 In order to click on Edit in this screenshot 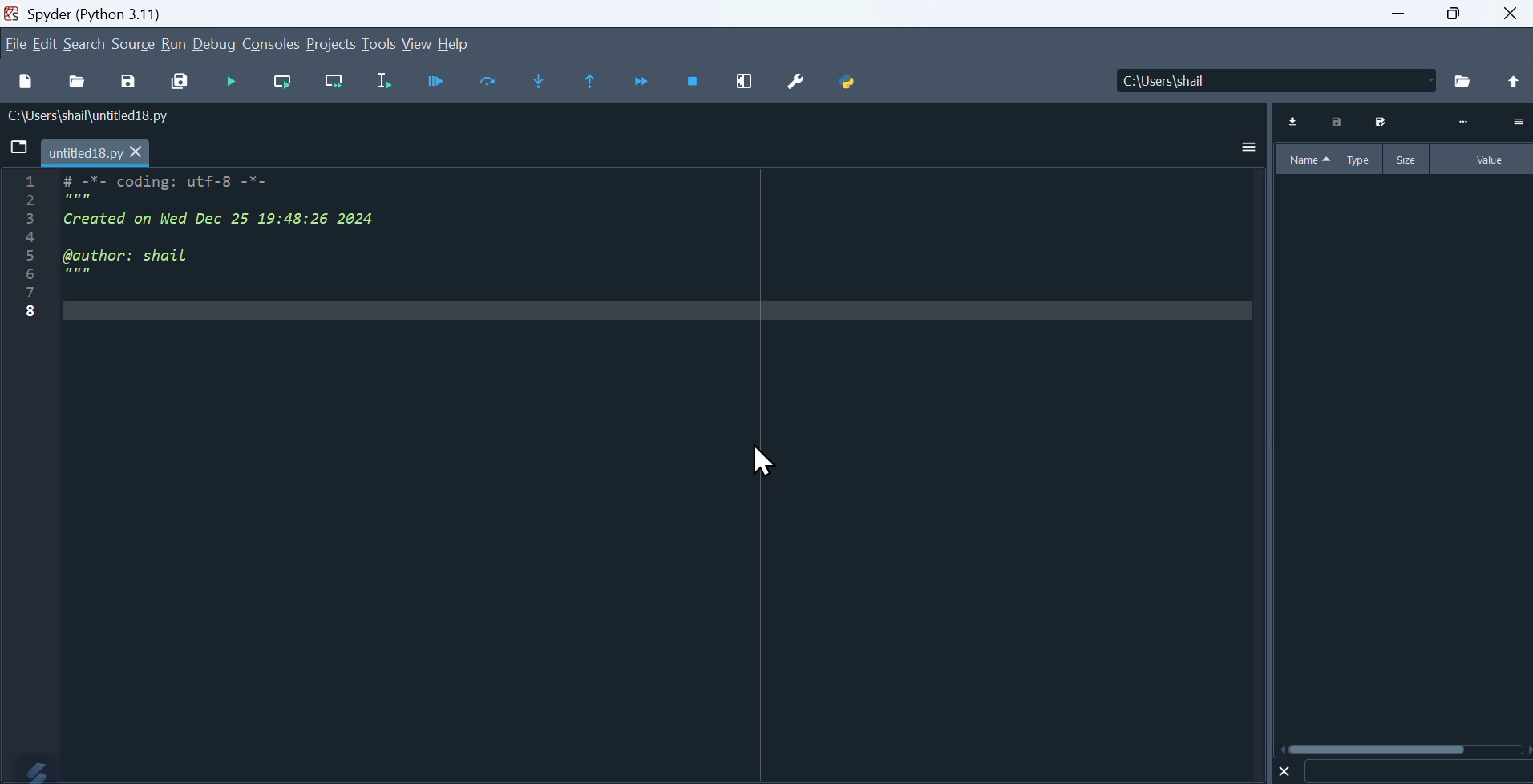, I will do `click(47, 43)`.